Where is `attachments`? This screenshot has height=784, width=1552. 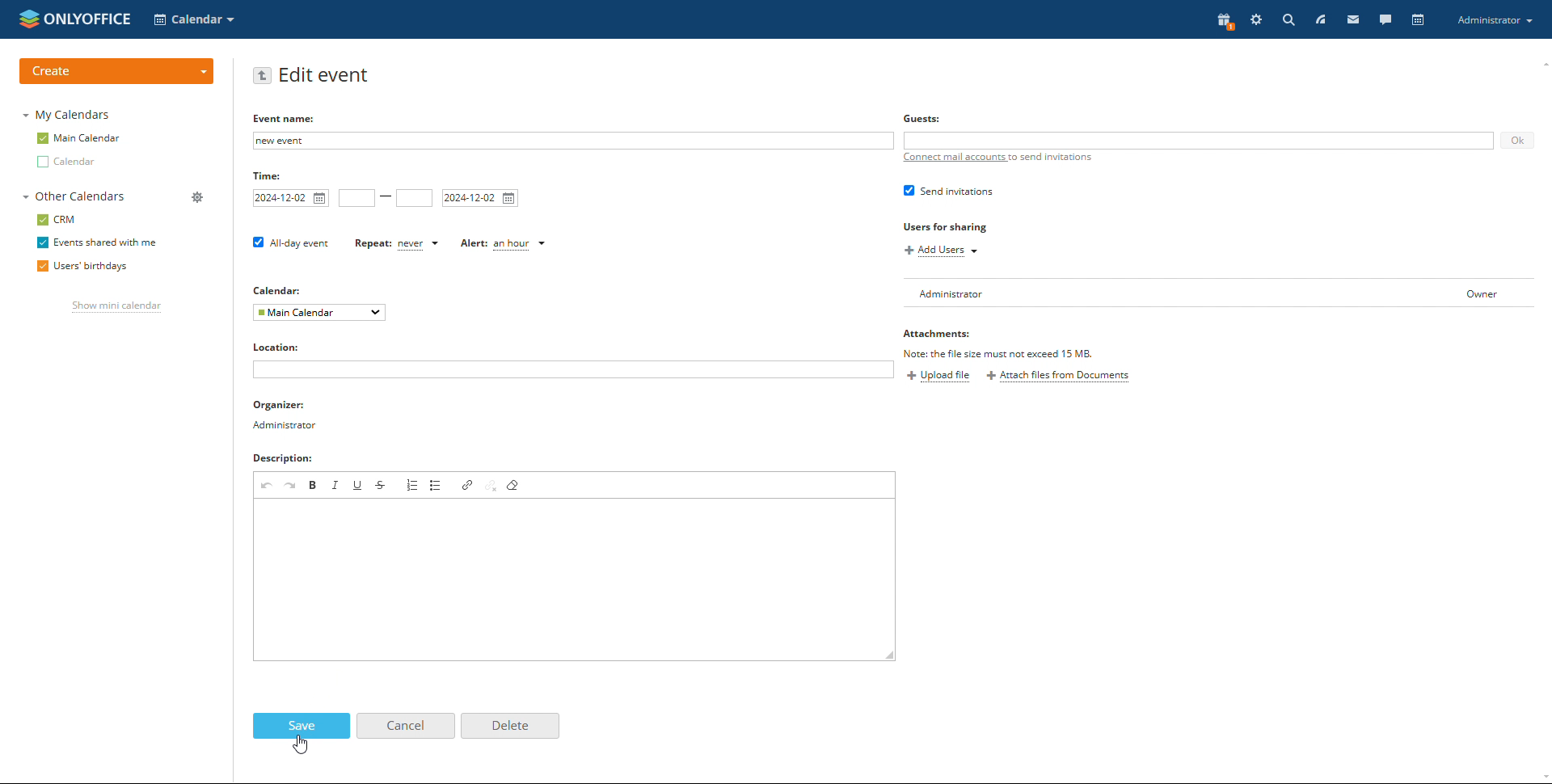 attachments is located at coordinates (938, 335).